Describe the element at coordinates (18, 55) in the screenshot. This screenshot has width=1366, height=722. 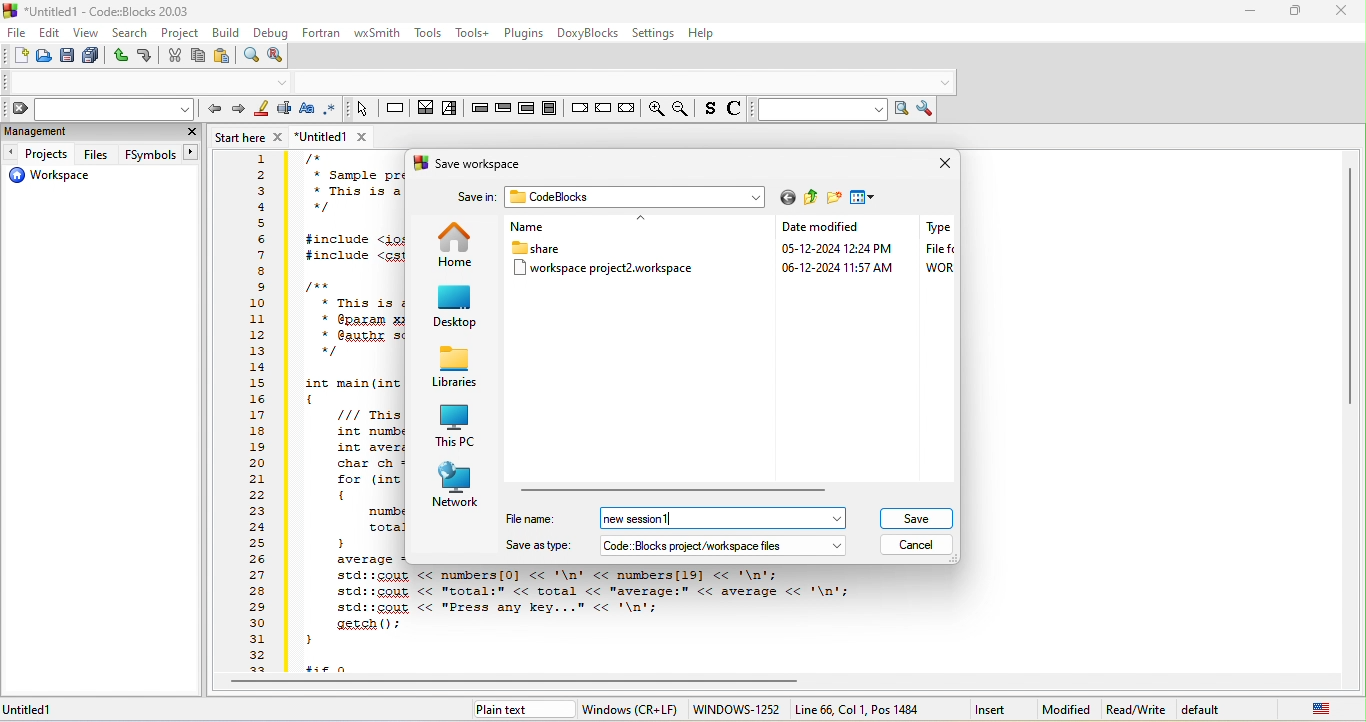
I see `new` at that location.